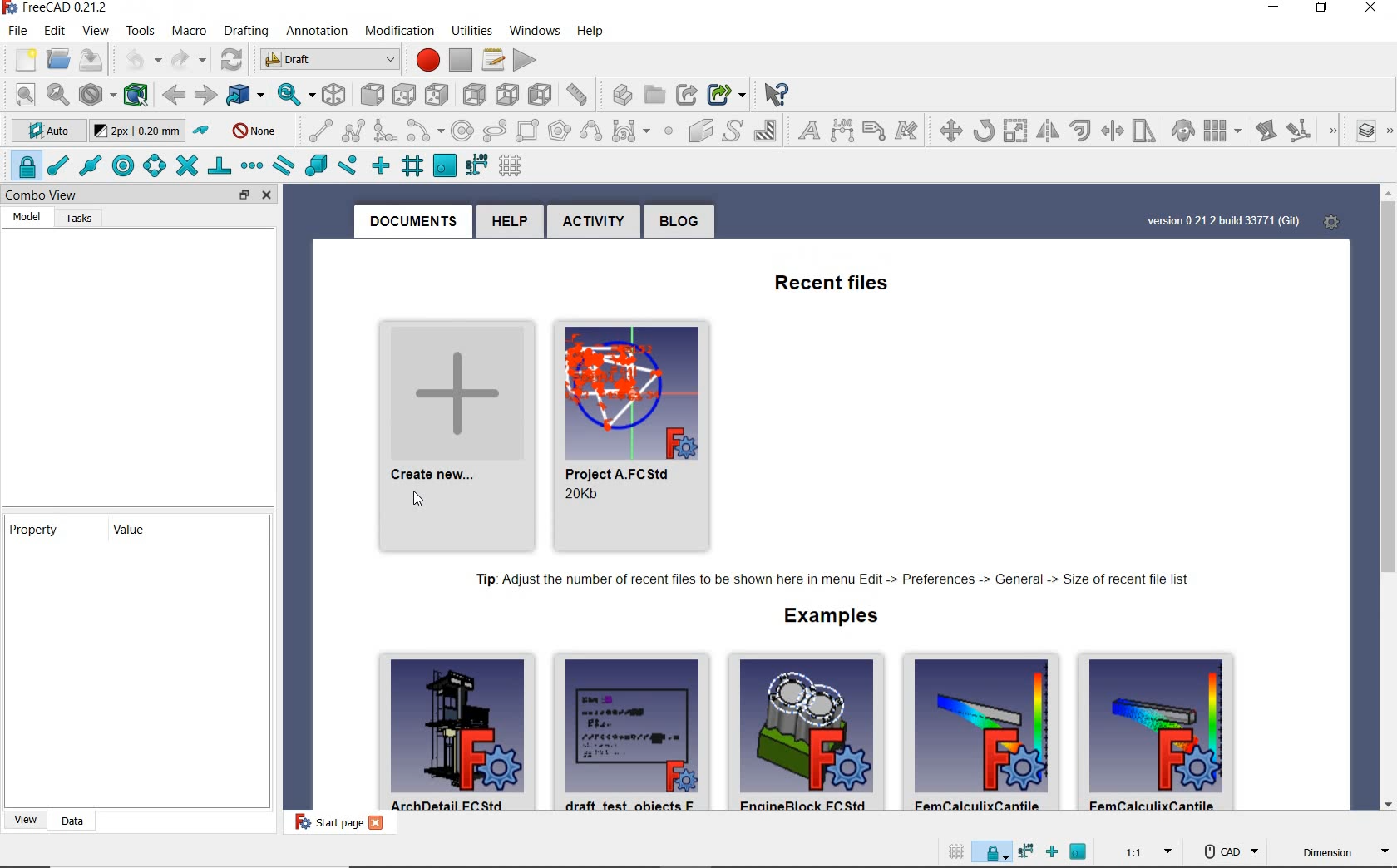  Describe the element at coordinates (236, 93) in the screenshot. I see `go to linked object` at that location.